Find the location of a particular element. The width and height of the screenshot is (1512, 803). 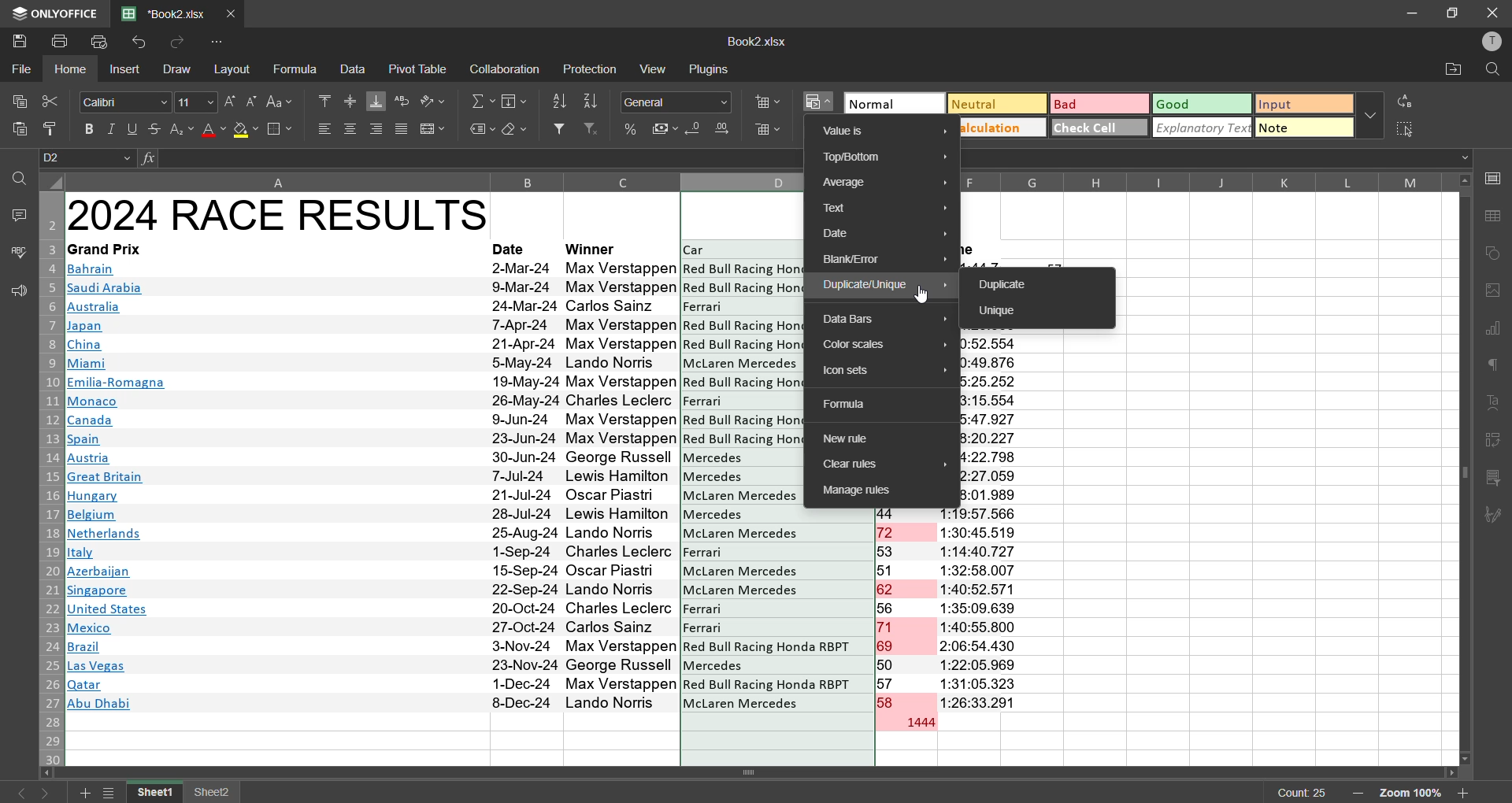

add new worksheet is located at coordinates (82, 793).